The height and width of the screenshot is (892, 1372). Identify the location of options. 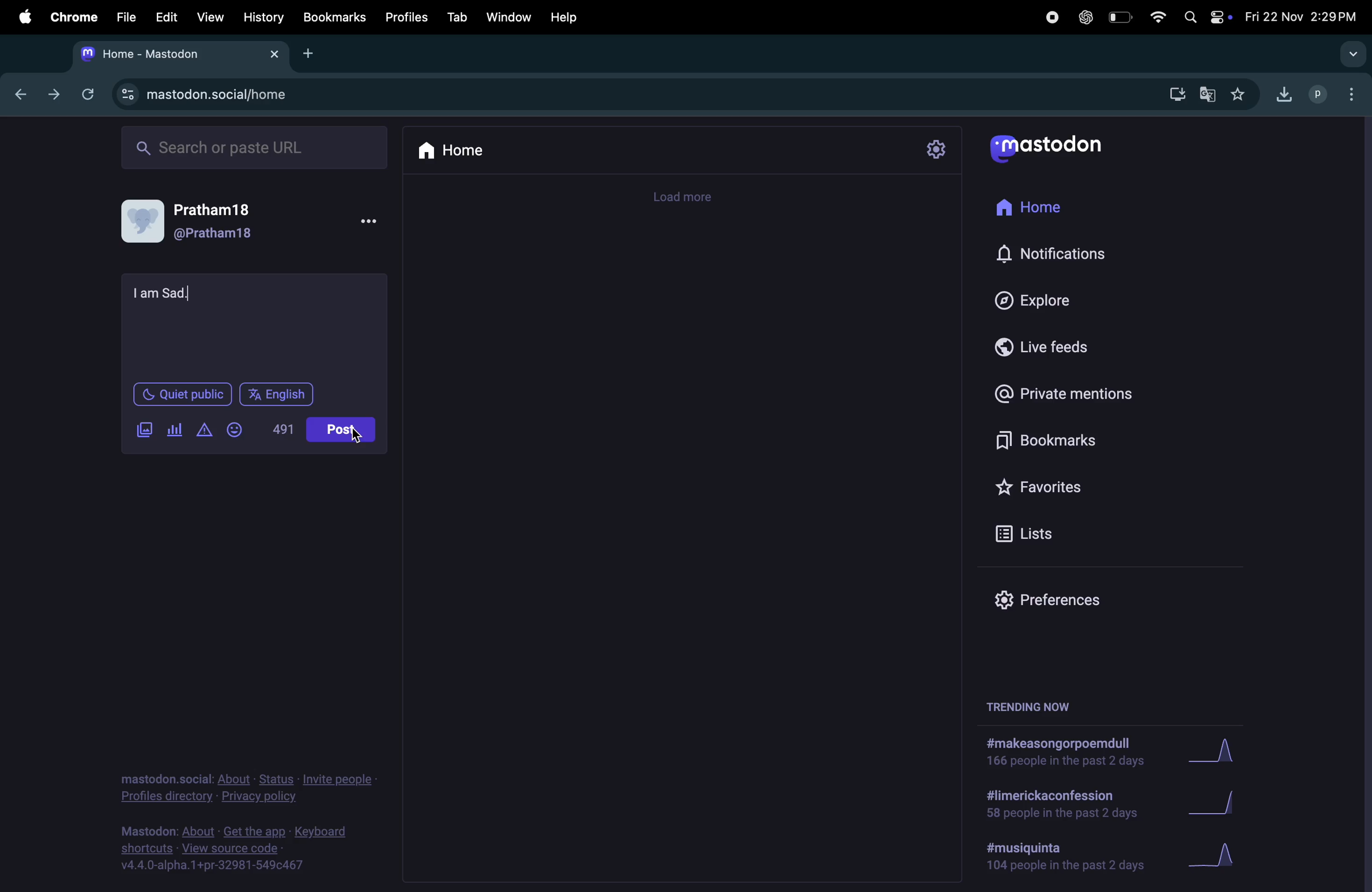
(1351, 96).